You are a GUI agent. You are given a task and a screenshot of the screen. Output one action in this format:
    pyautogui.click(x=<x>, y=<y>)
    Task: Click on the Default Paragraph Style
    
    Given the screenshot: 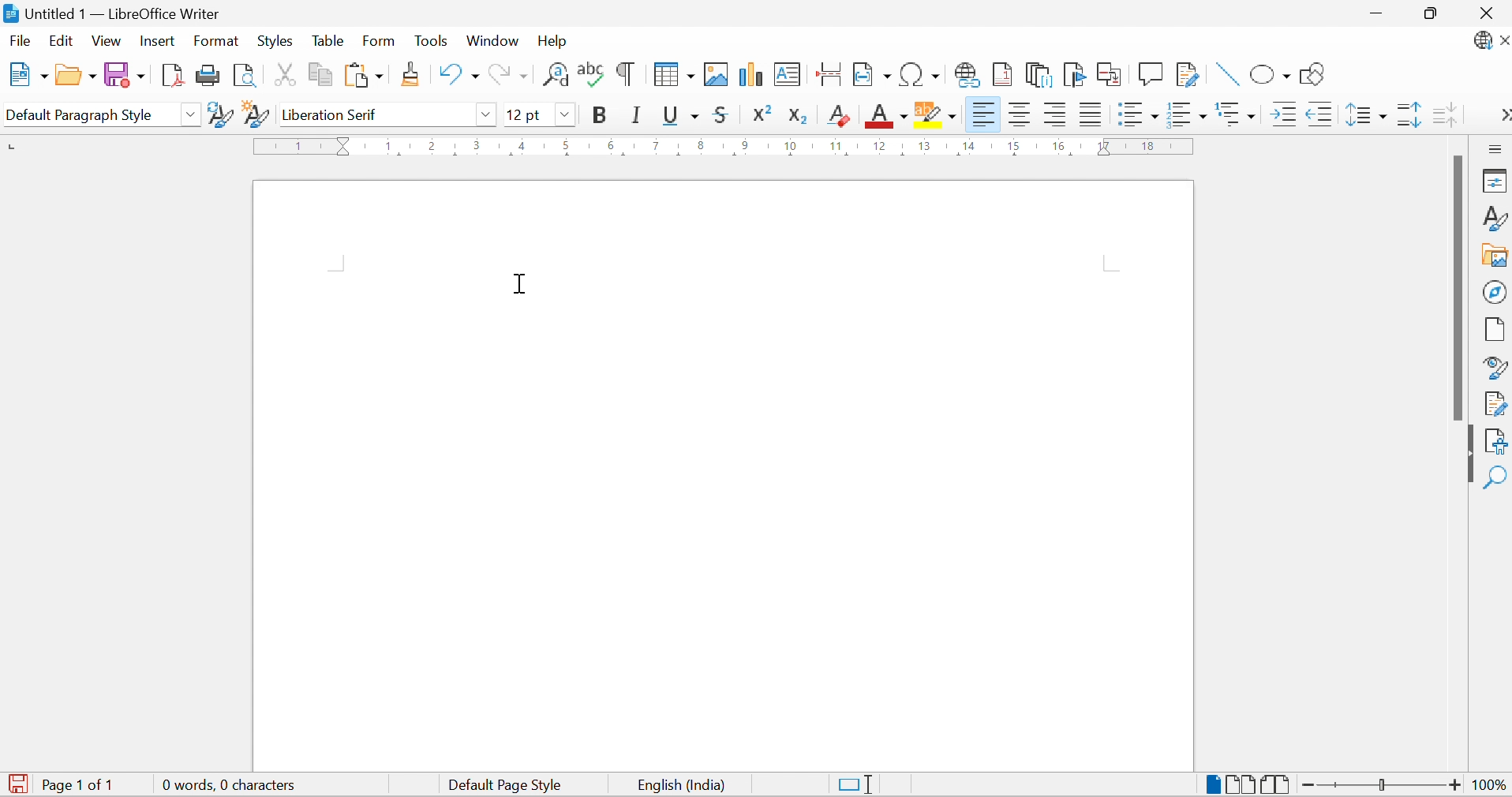 What is the action you would take?
    pyautogui.click(x=80, y=114)
    